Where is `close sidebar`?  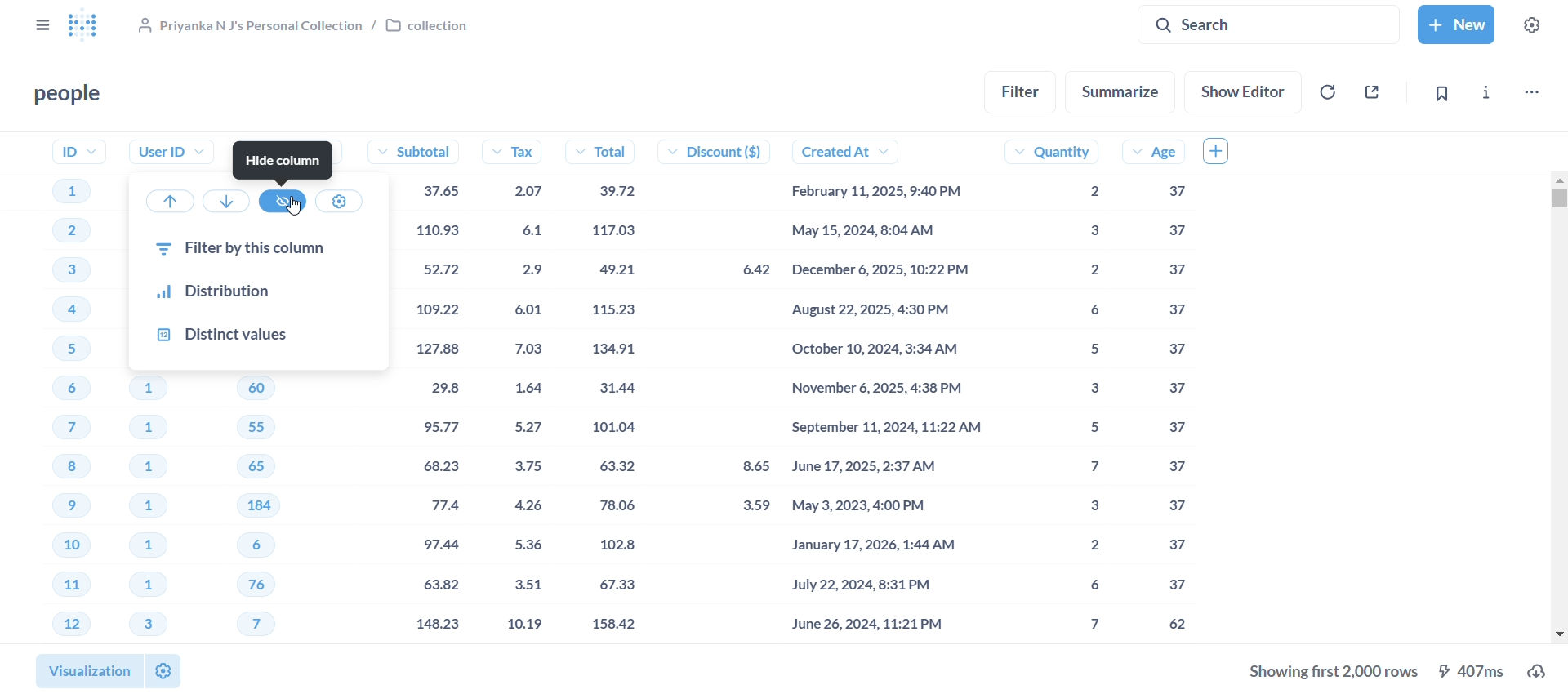 close sidebar is located at coordinates (41, 24).